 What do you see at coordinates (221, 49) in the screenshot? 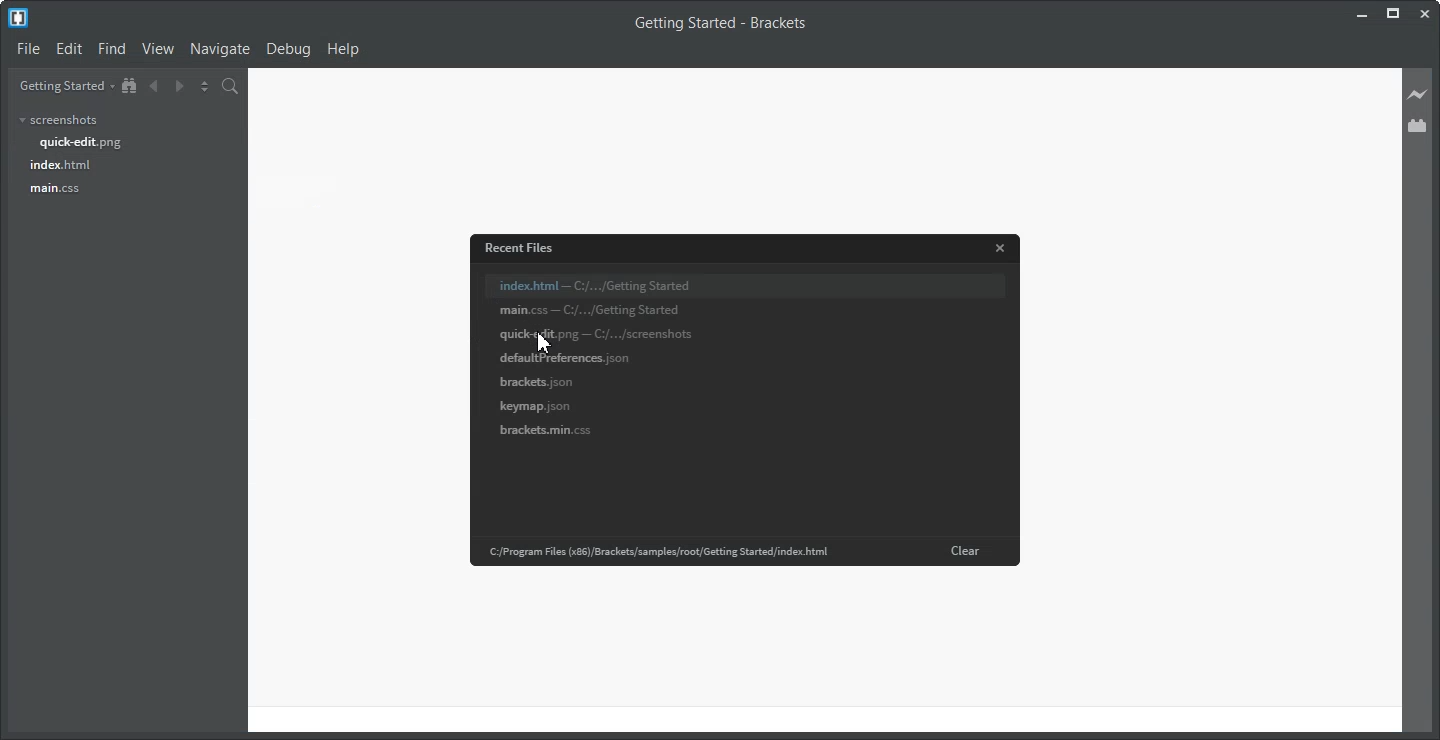
I see `Navigate` at bounding box center [221, 49].